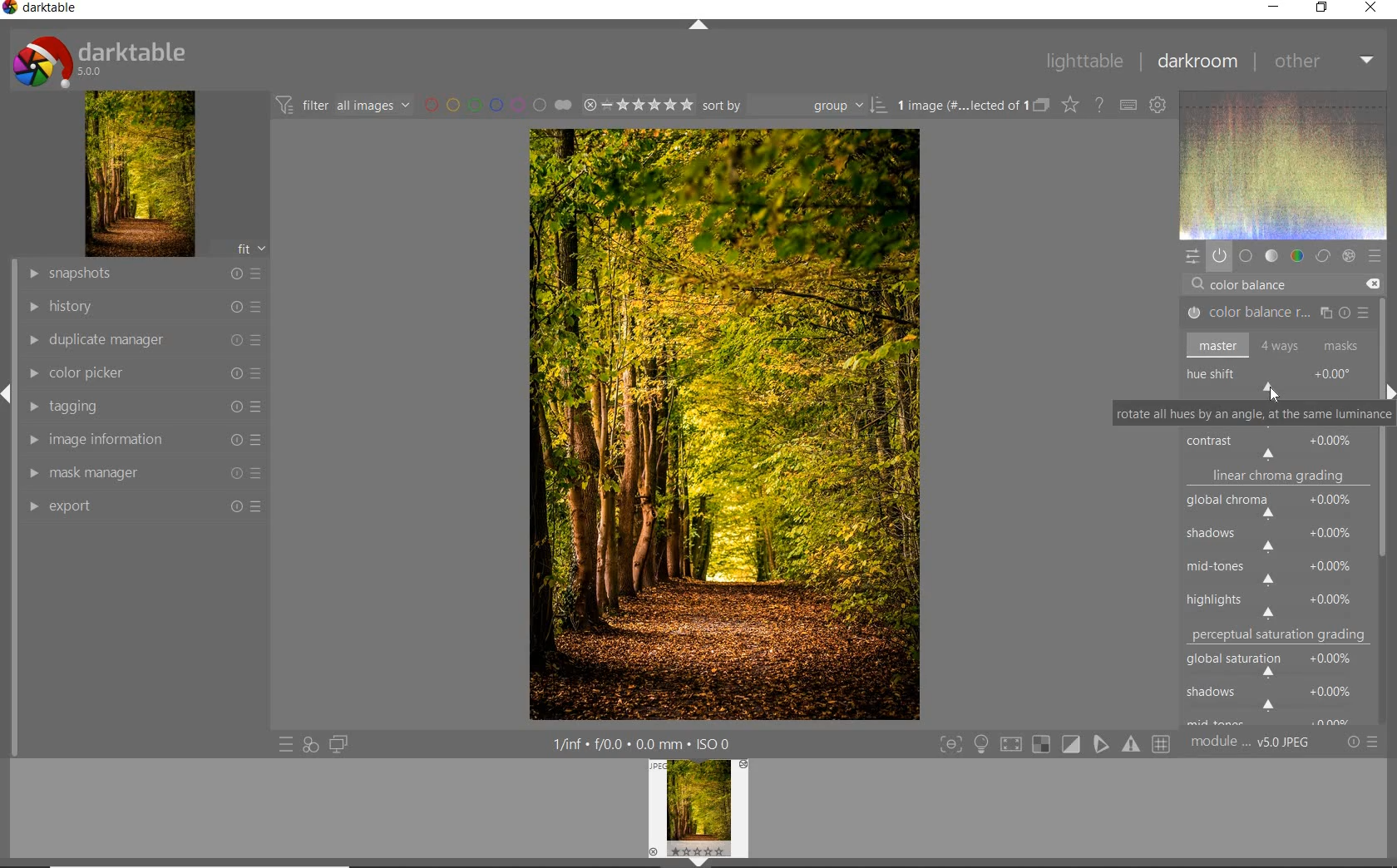 This screenshot has height=868, width=1397. Describe the element at coordinates (1271, 257) in the screenshot. I see `tone` at that location.